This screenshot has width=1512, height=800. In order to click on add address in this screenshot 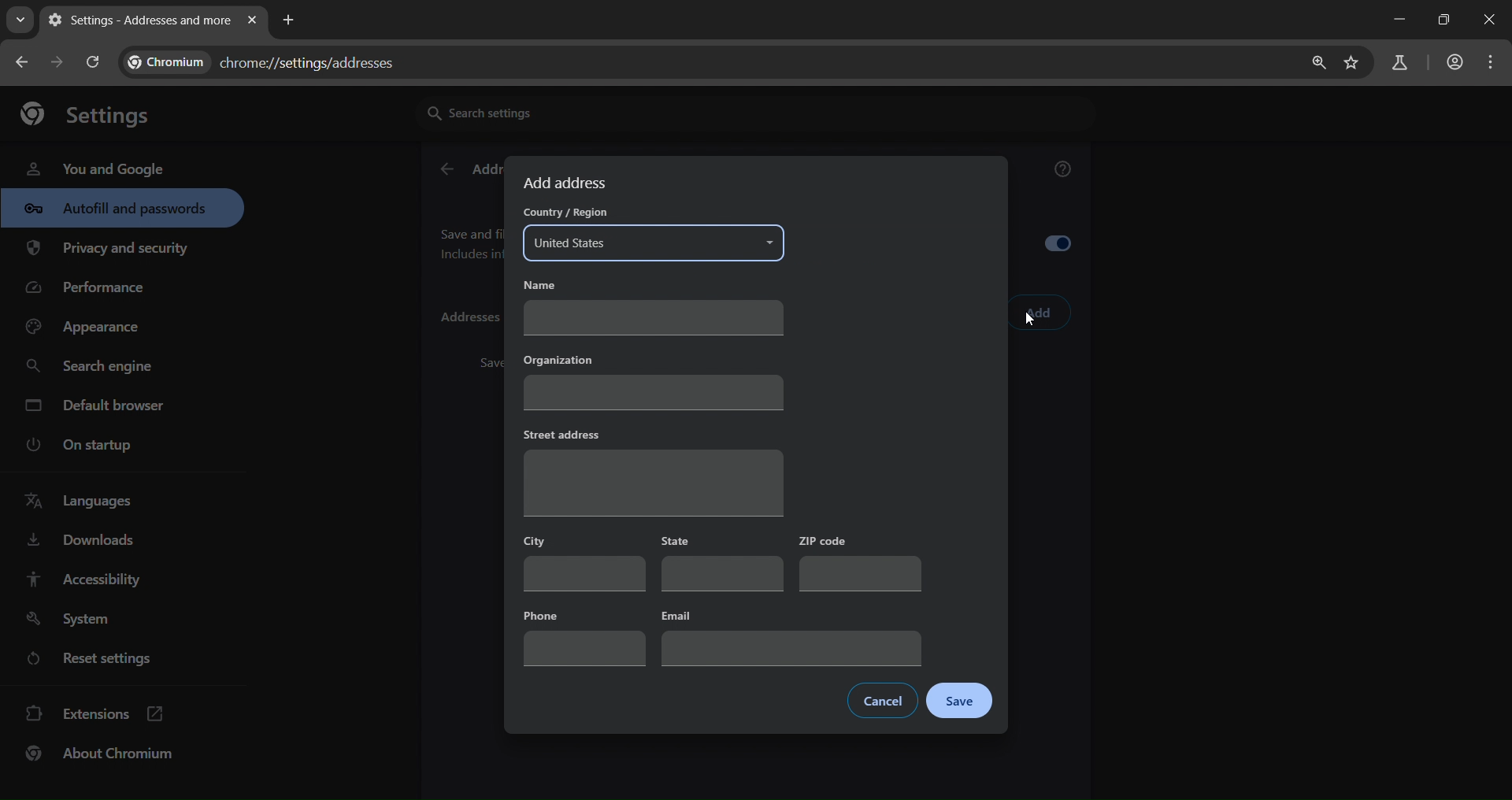, I will do `click(568, 183)`.